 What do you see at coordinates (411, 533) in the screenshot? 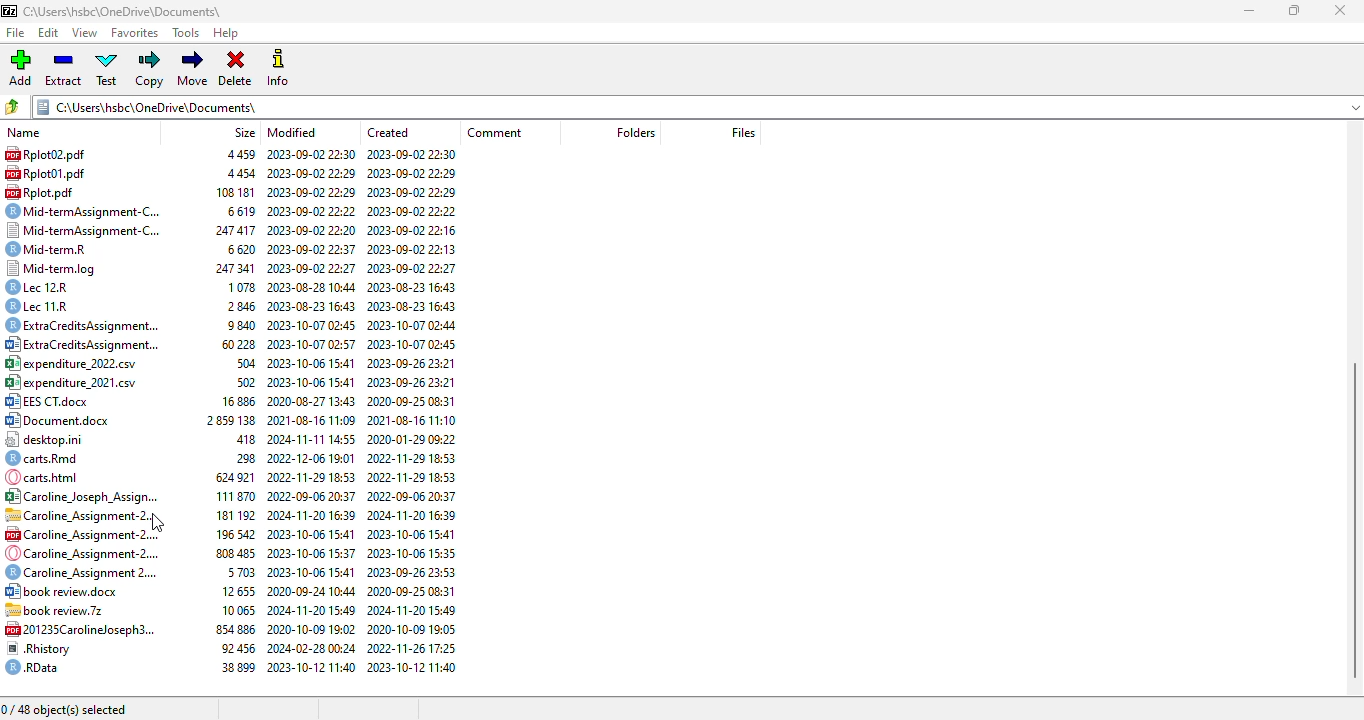
I see `2023-10-06 15:41` at bounding box center [411, 533].